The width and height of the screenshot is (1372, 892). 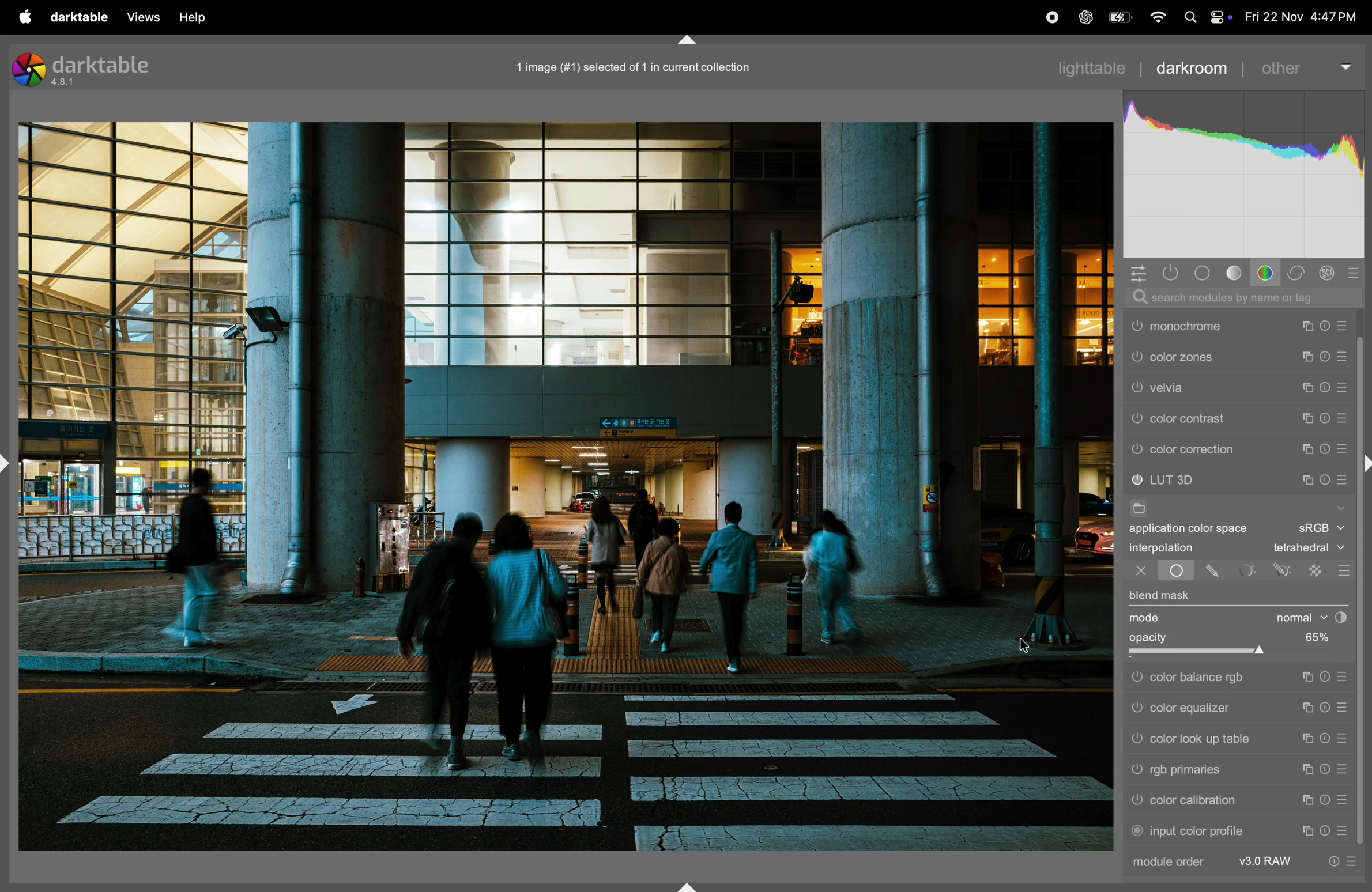 What do you see at coordinates (648, 65) in the screenshot?
I see `image selected` at bounding box center [648, 65].